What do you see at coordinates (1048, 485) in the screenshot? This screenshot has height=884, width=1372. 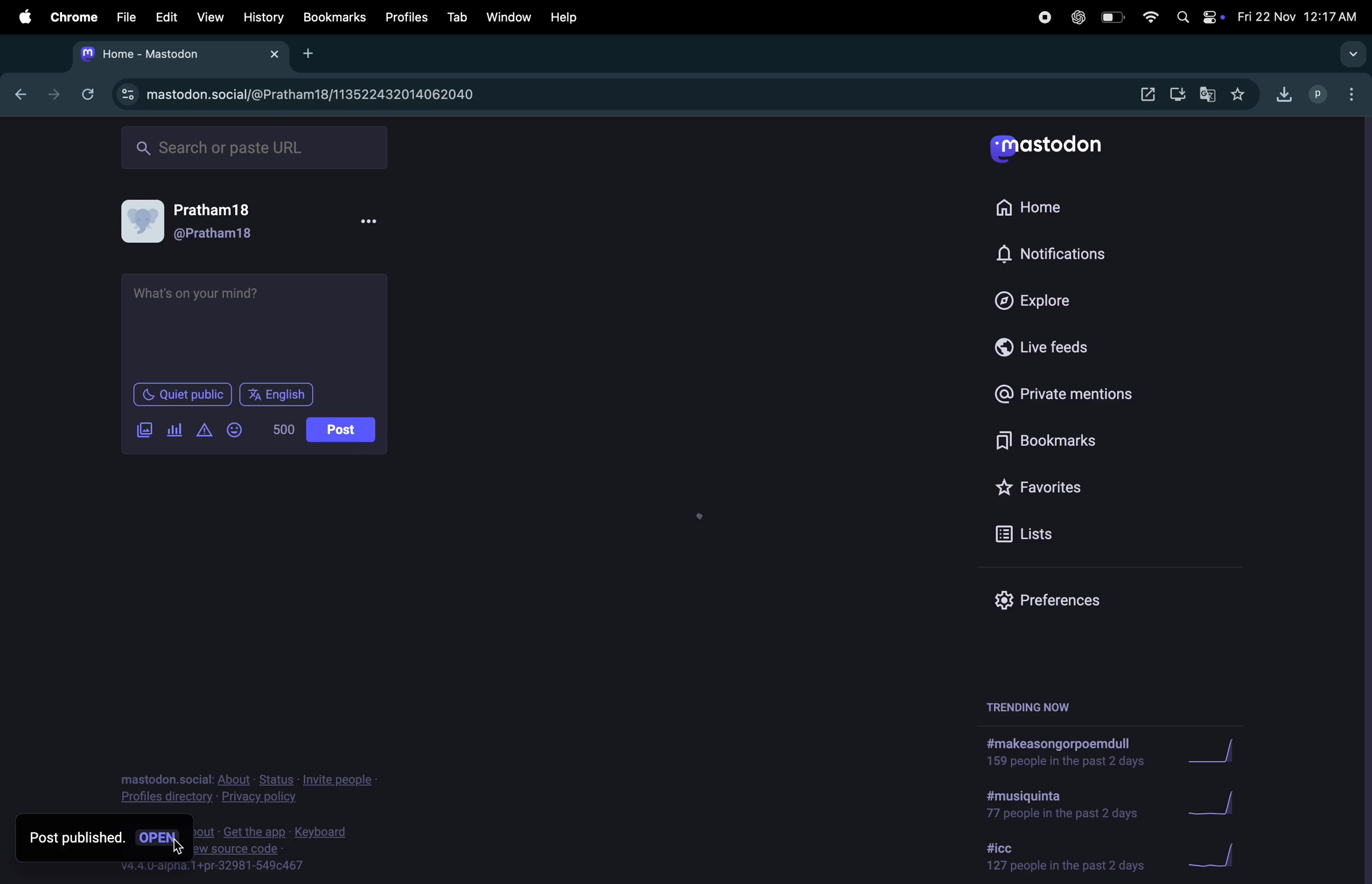 I see `favourites` at bounding box center [1048, 485].